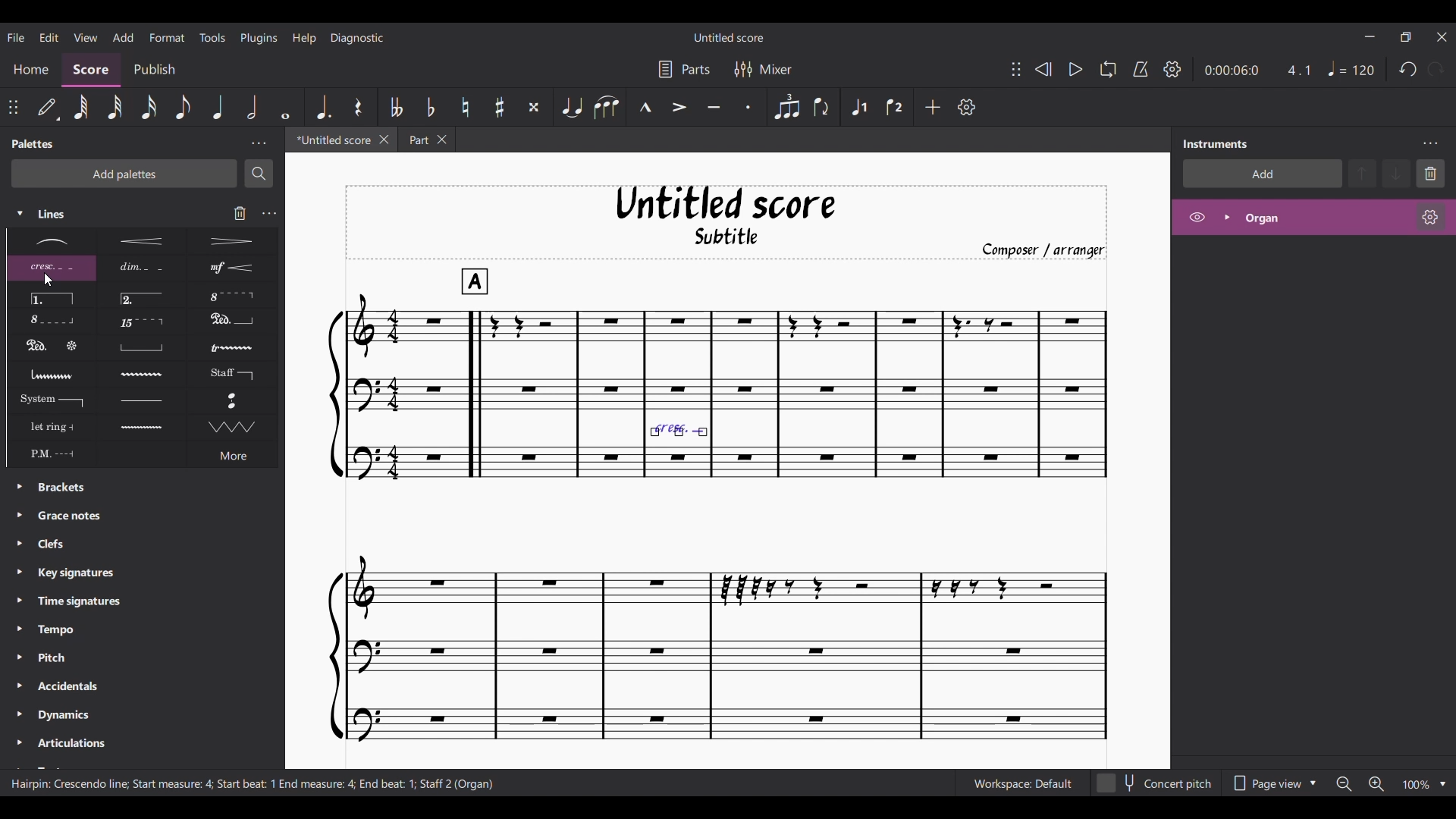 The height and width of the screenshot is (819, 1456). What do you see at coordinates (304, 38) in the screenshot?
I see `Help menu` at bounding box center [304, 38].